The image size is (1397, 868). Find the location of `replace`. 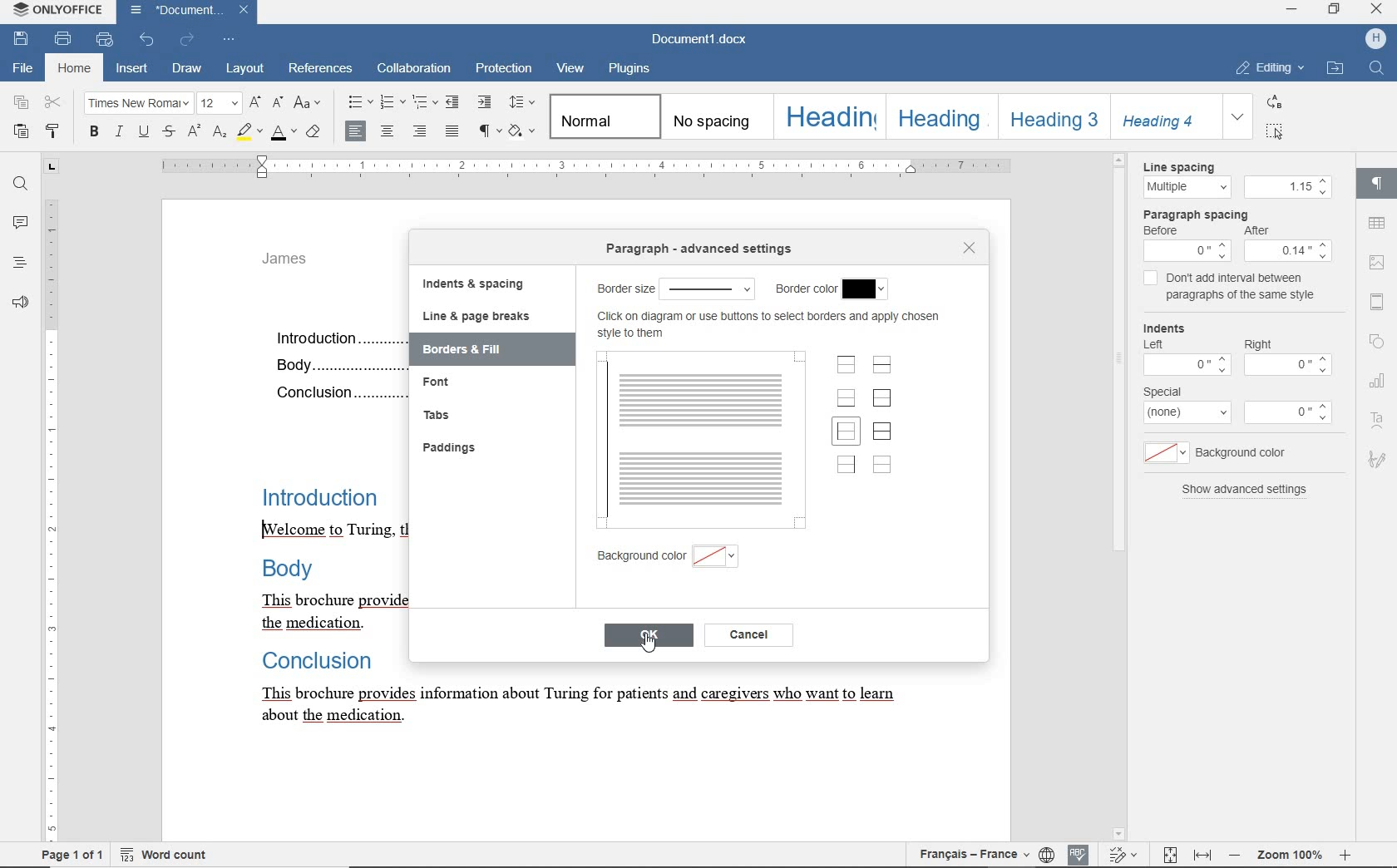

replace is located at coordinates (1272, 104).